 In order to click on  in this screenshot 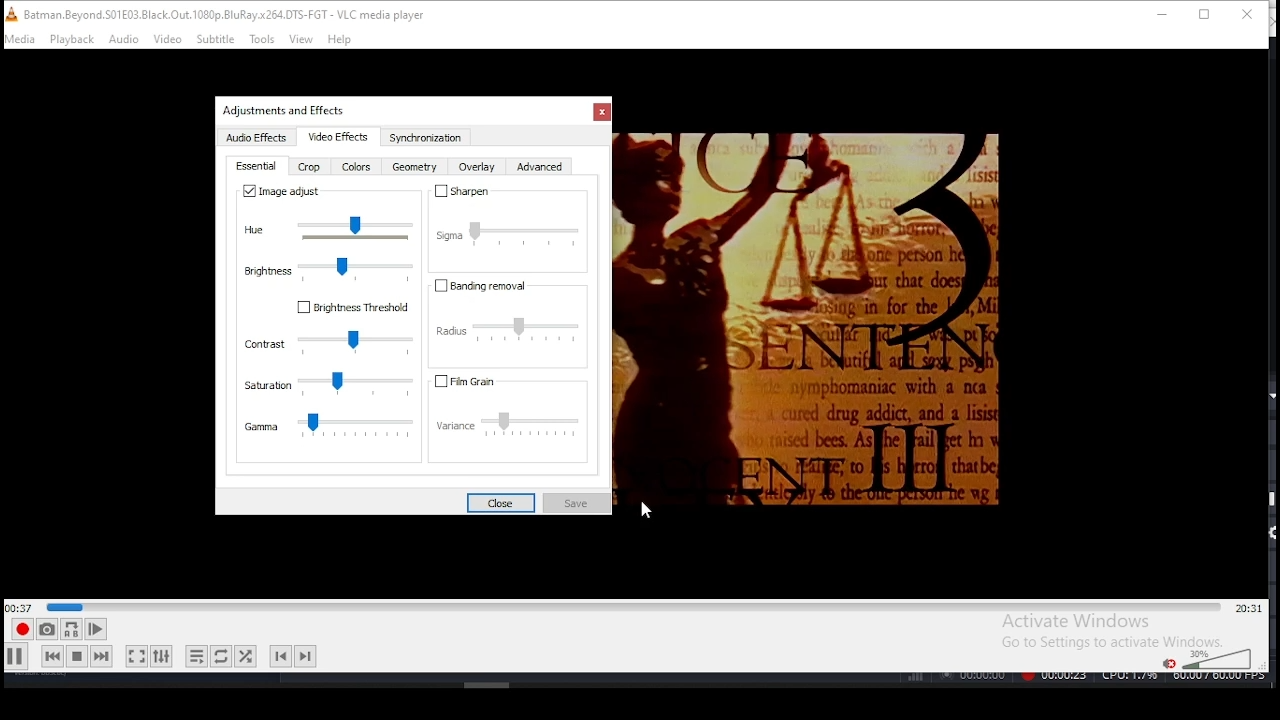, I will do `click(488, 683)`.